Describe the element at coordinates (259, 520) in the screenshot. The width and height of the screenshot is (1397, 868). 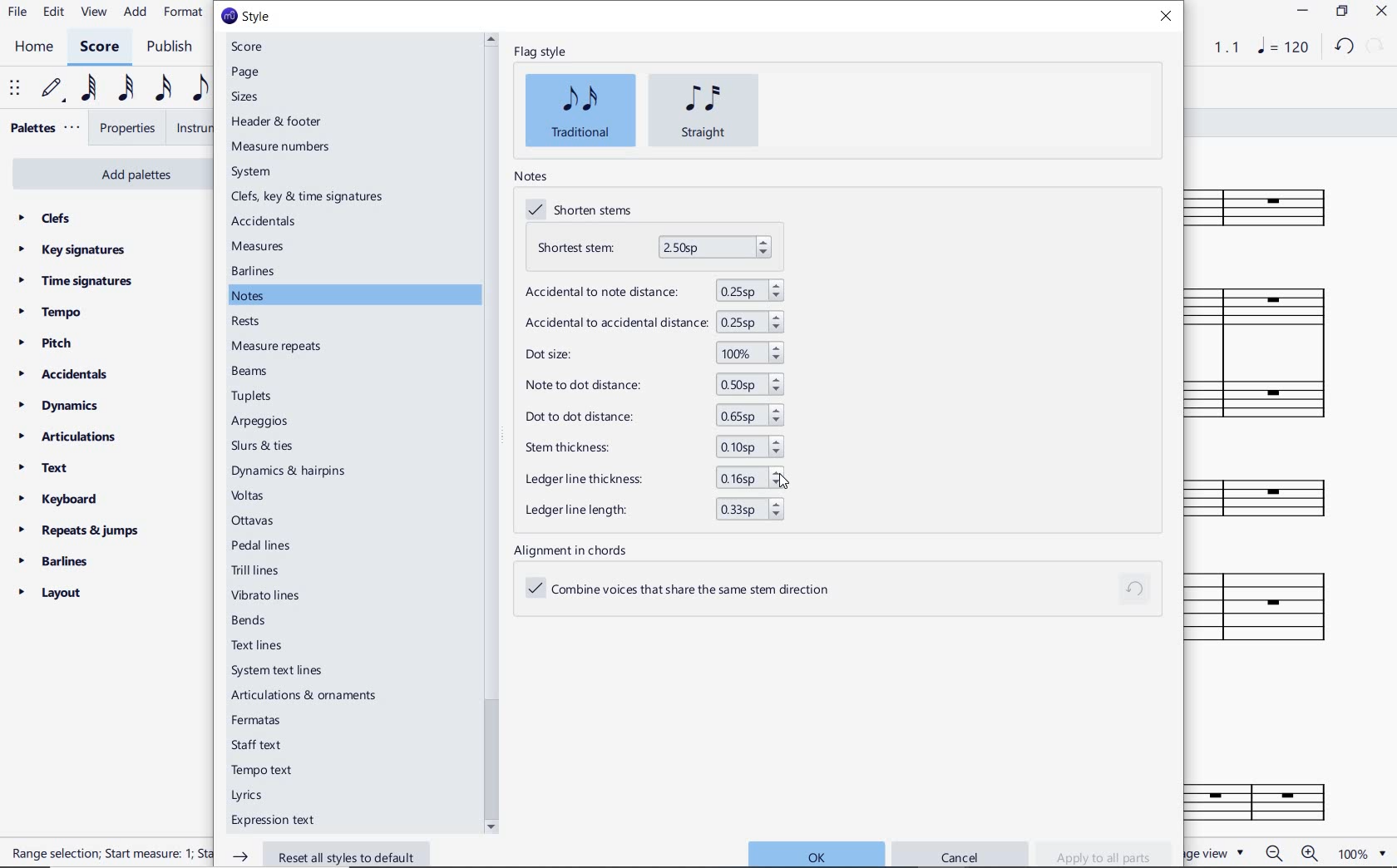
I see `ottavas` at that location.